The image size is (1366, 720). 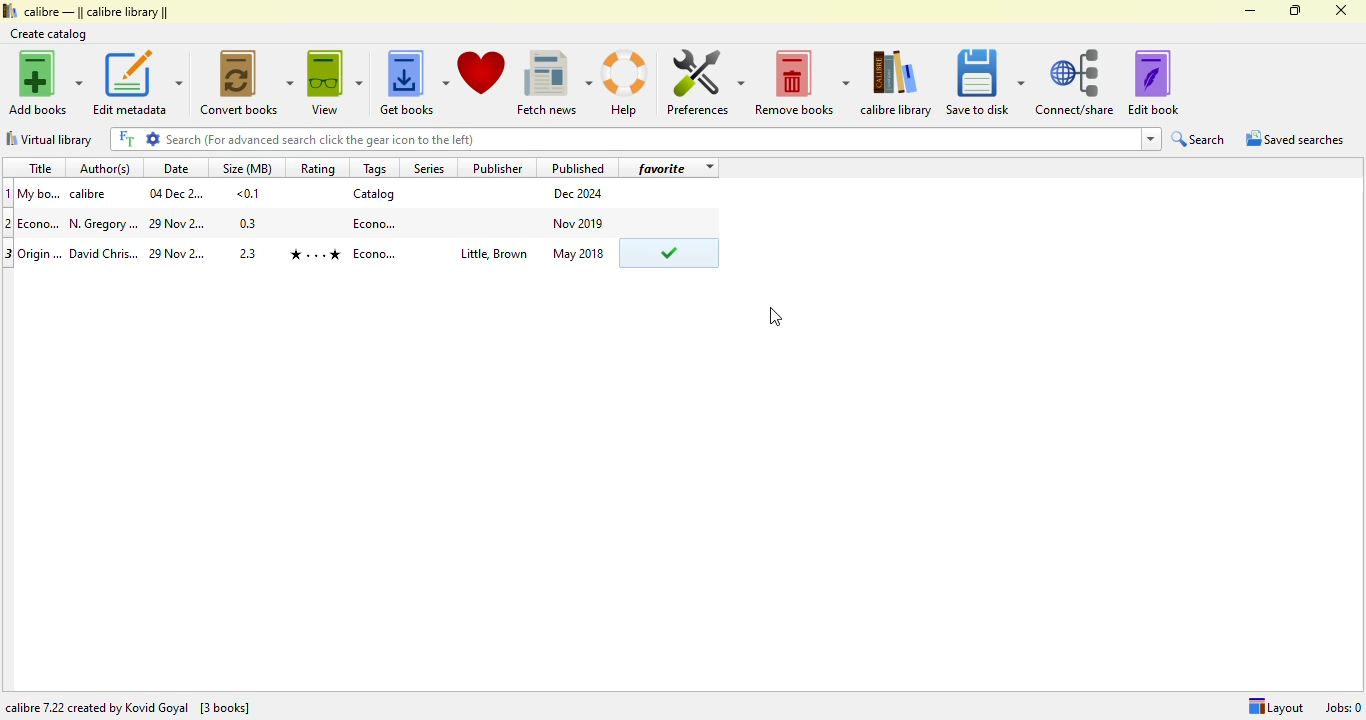 I want to click on search, so click(x=1199, y=139).